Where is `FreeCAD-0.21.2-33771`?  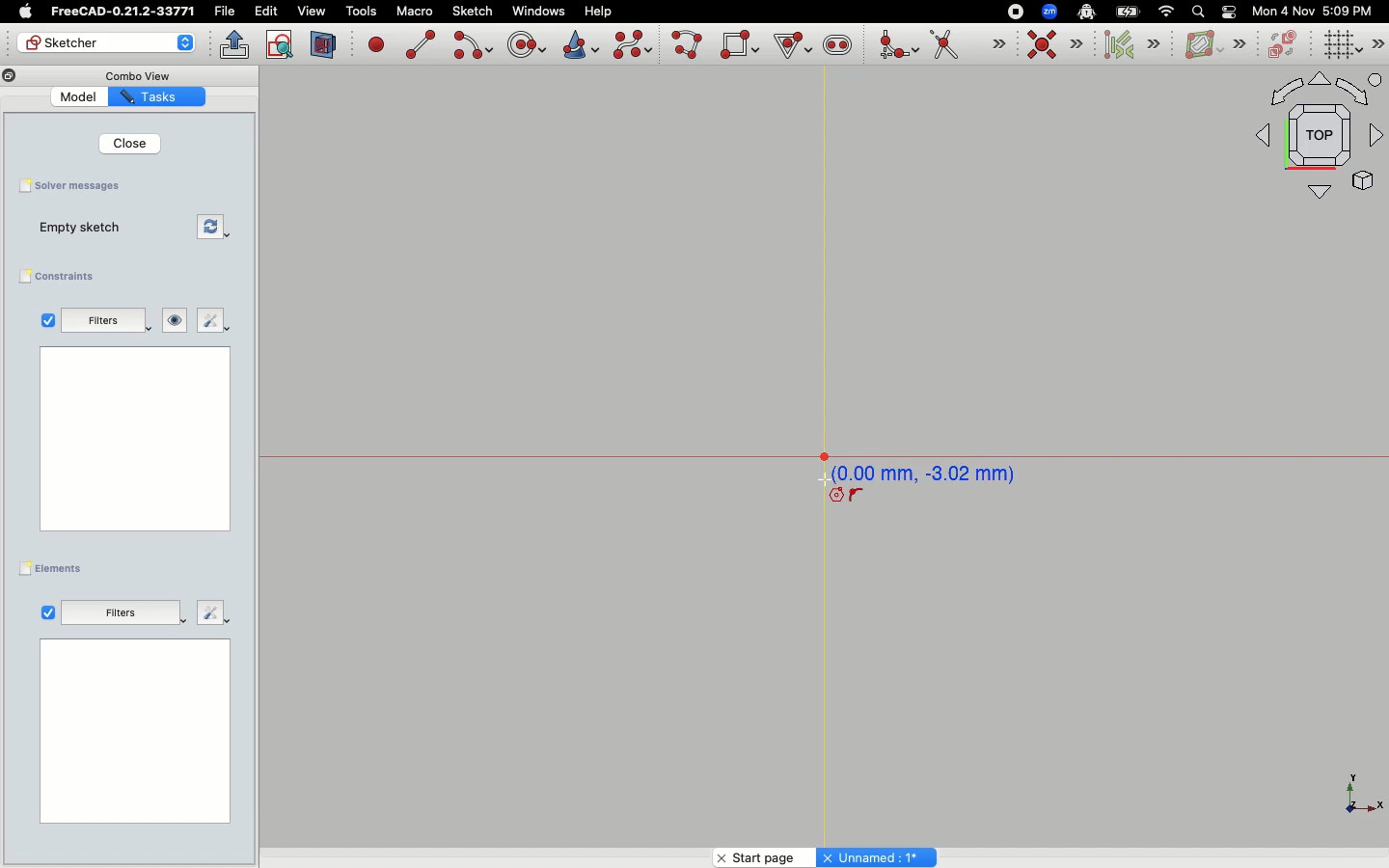 FreeCAD-0.21.2-33771 is located at coordinates (123, 12).